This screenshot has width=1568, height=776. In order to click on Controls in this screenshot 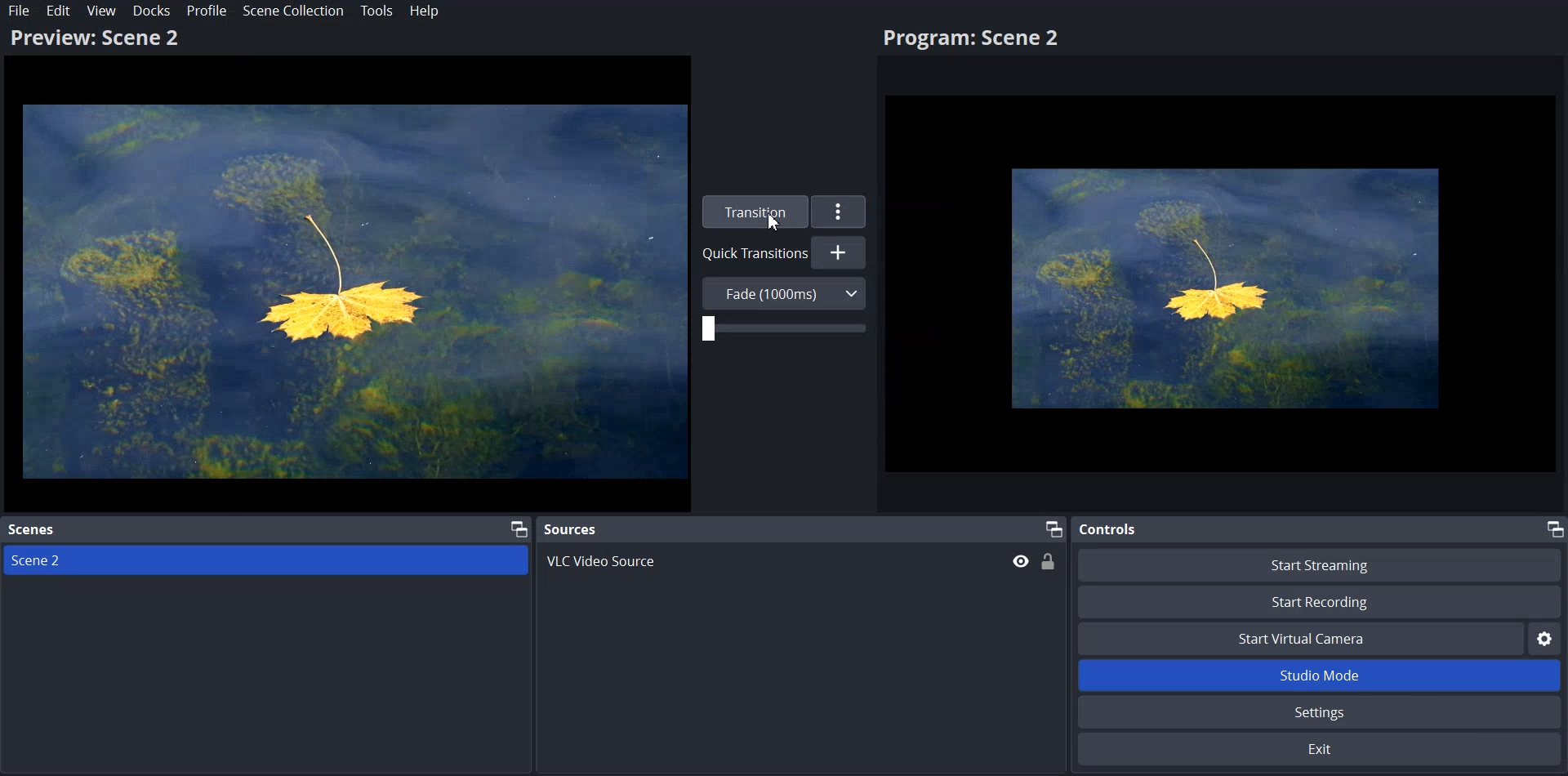, I will do `click(1108, 529)`.